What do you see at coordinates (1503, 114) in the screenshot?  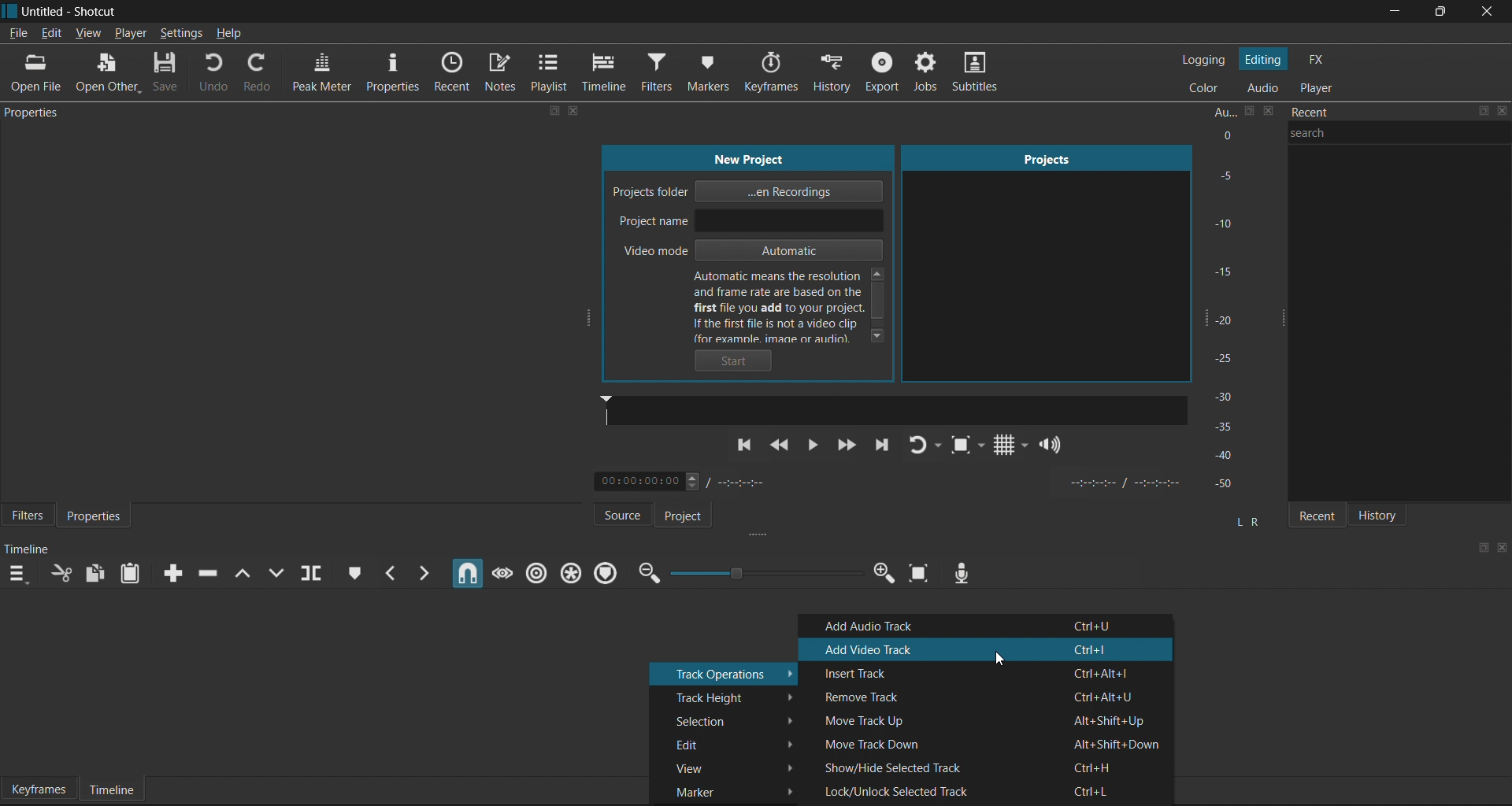 I see `close` at bounding box center [1503, 114].